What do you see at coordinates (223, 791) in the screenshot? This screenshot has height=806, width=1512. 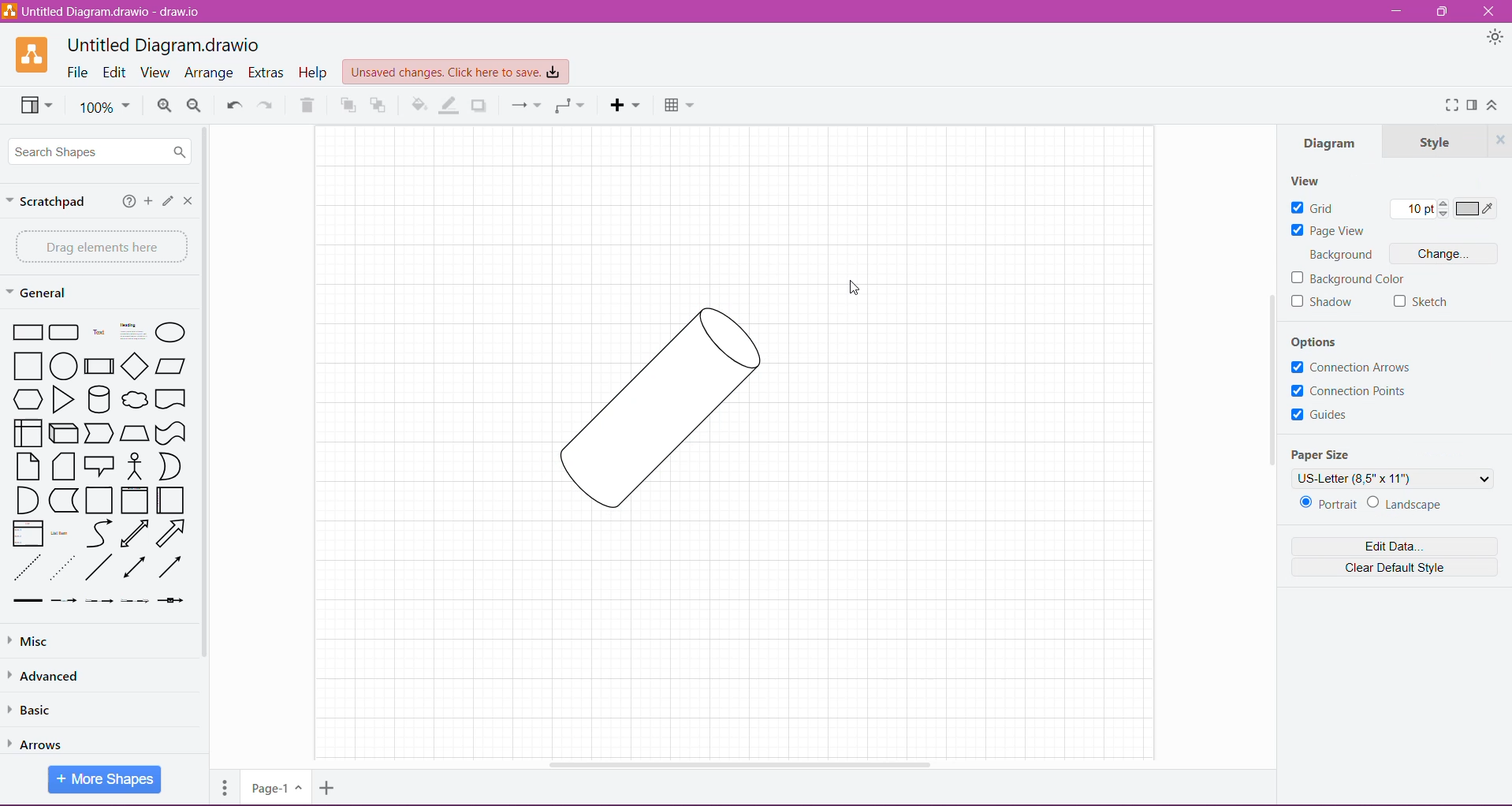 I see `Pages` at bounding box center [223, 791].